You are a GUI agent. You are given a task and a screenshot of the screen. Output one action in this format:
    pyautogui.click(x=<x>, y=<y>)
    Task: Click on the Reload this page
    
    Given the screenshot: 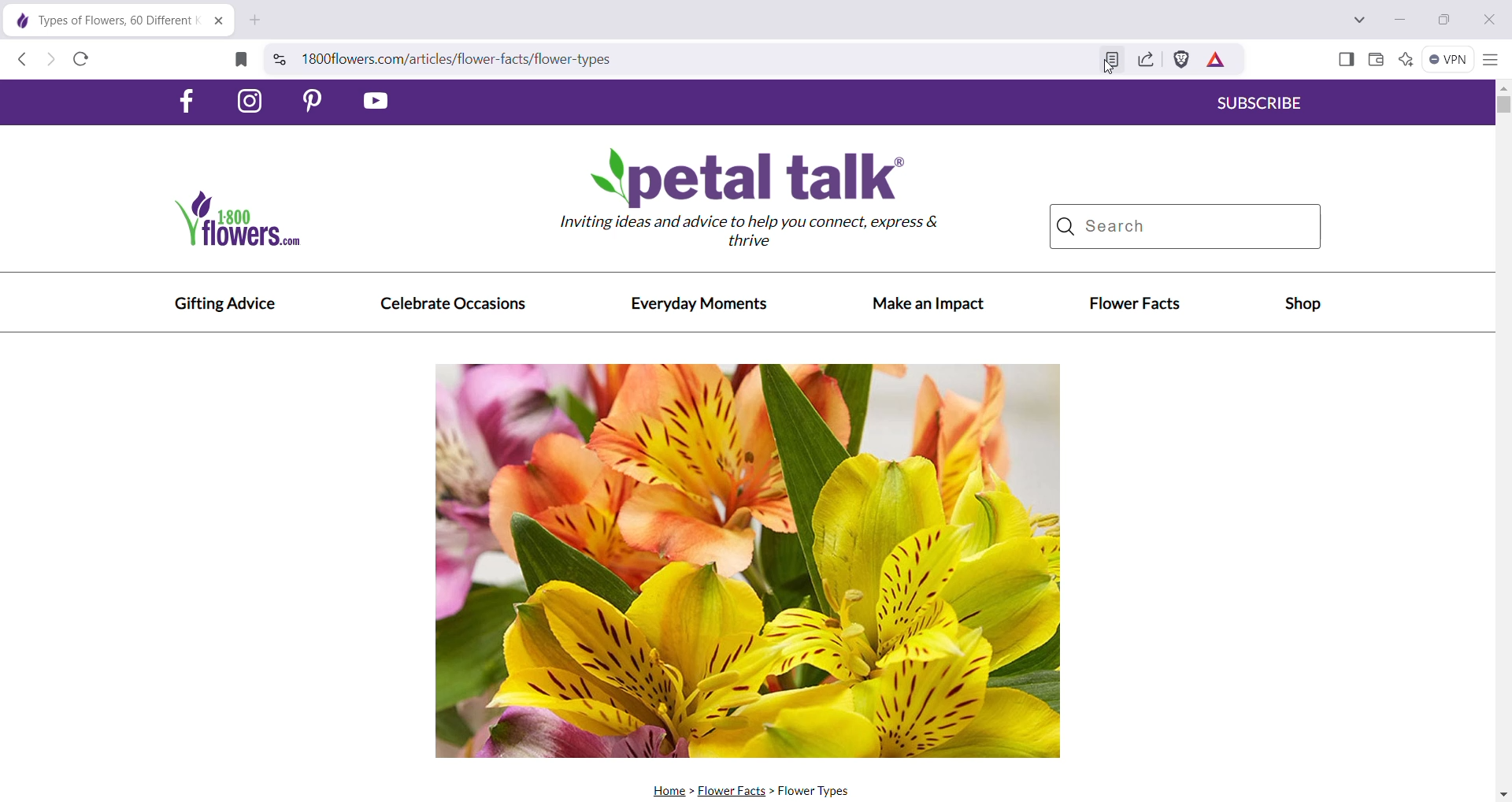 What is the action you would take?
    pyautogui.click(x=82, y=60)
    